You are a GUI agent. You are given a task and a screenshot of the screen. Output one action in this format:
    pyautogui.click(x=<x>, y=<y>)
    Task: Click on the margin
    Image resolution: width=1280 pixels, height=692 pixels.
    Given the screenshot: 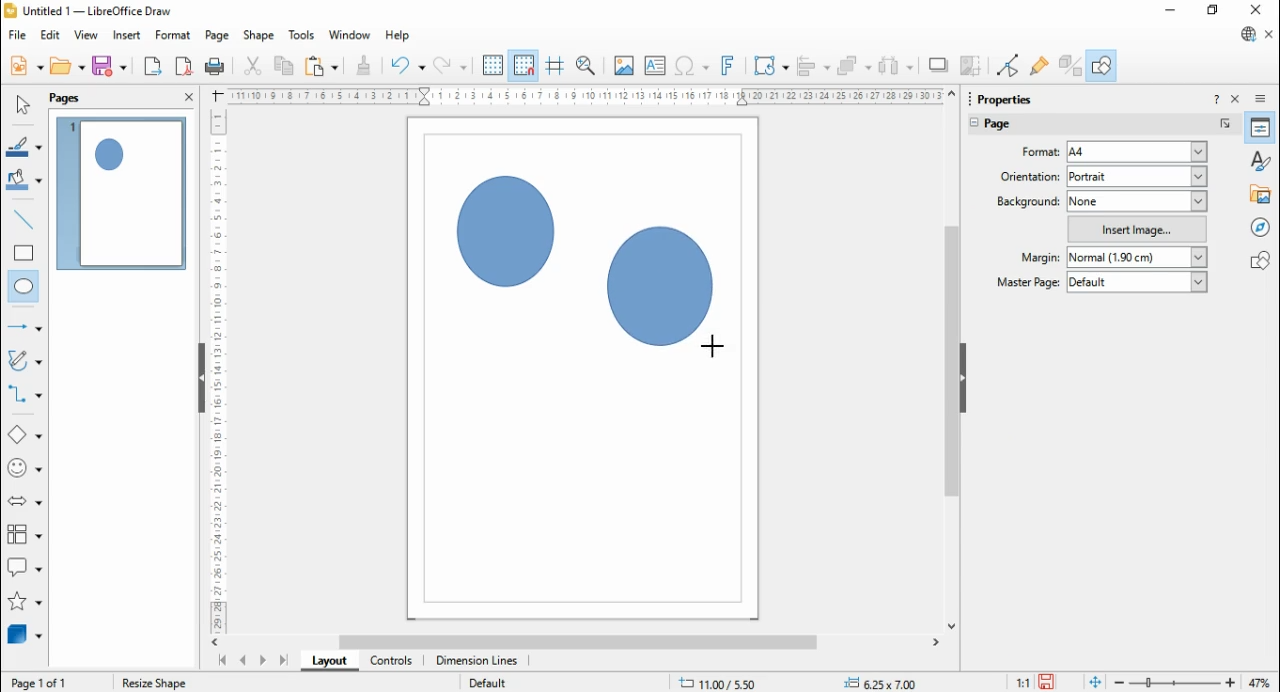 What is the action you would take?
    pyautogui.click(x=1038, y=257)
    